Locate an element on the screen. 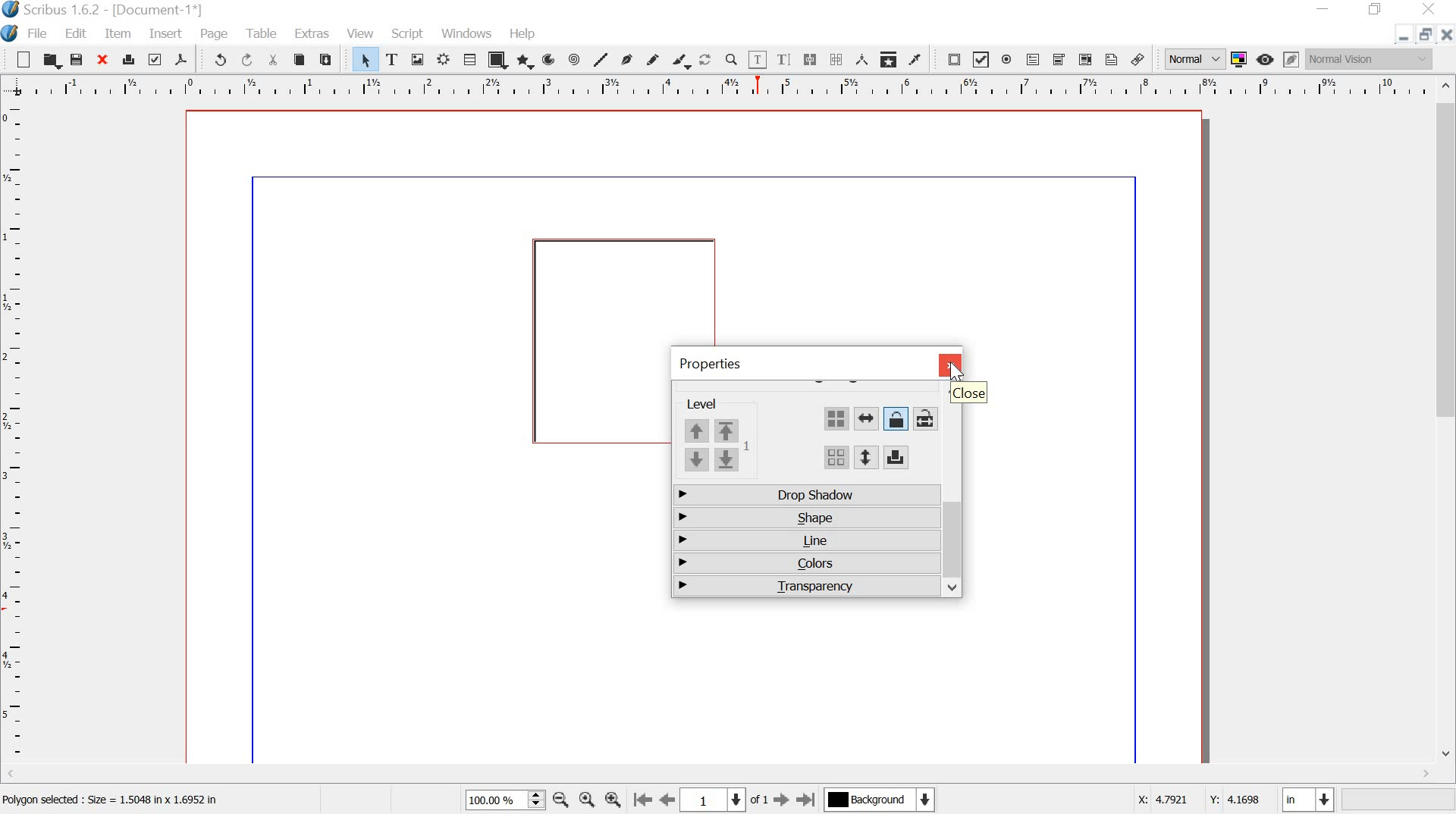 The image size is (1456, 814). pdf text field is located at coordinates (1034, 59).